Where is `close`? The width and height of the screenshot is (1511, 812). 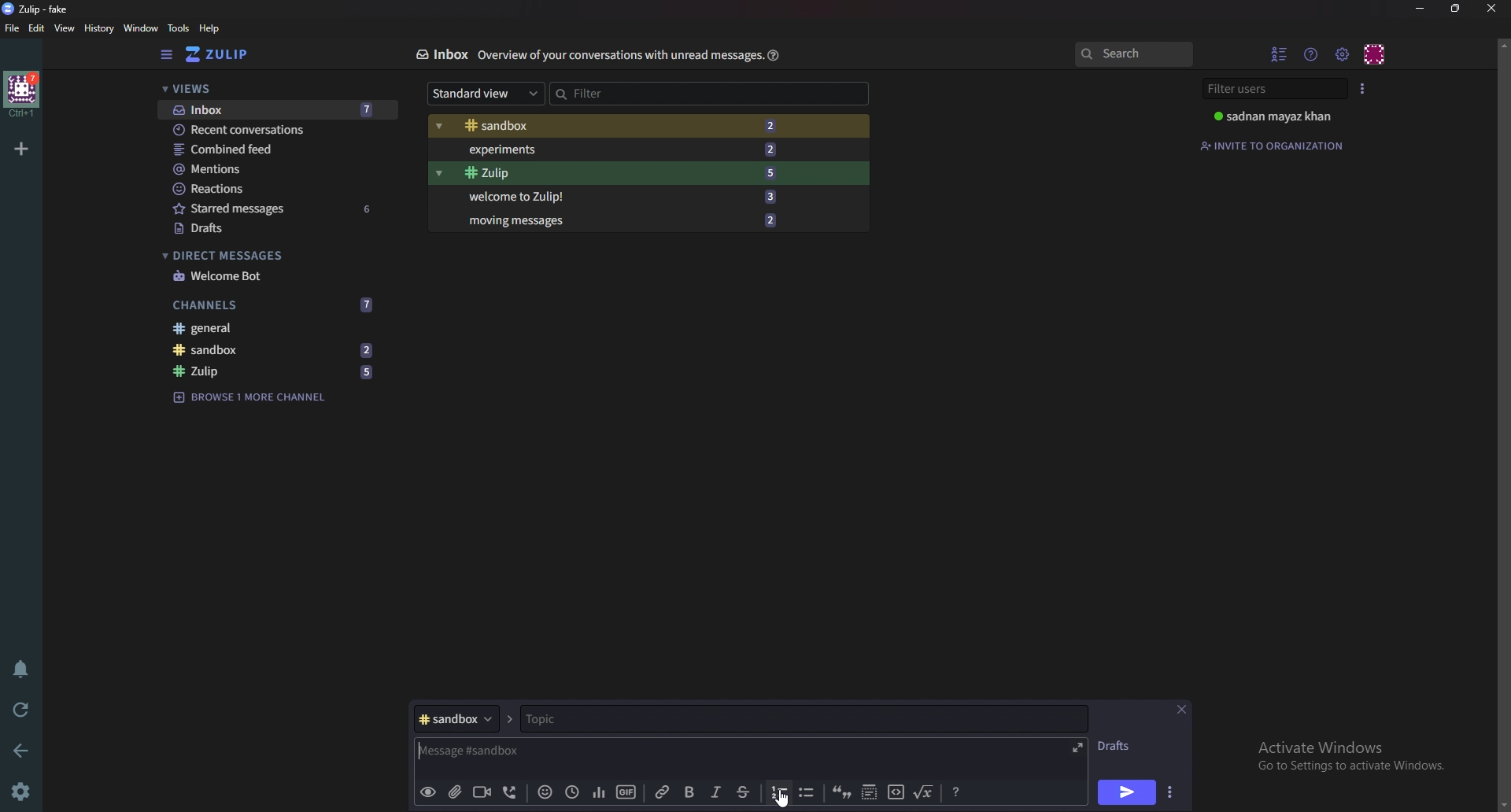 close is located at coordinates (1491, 8).